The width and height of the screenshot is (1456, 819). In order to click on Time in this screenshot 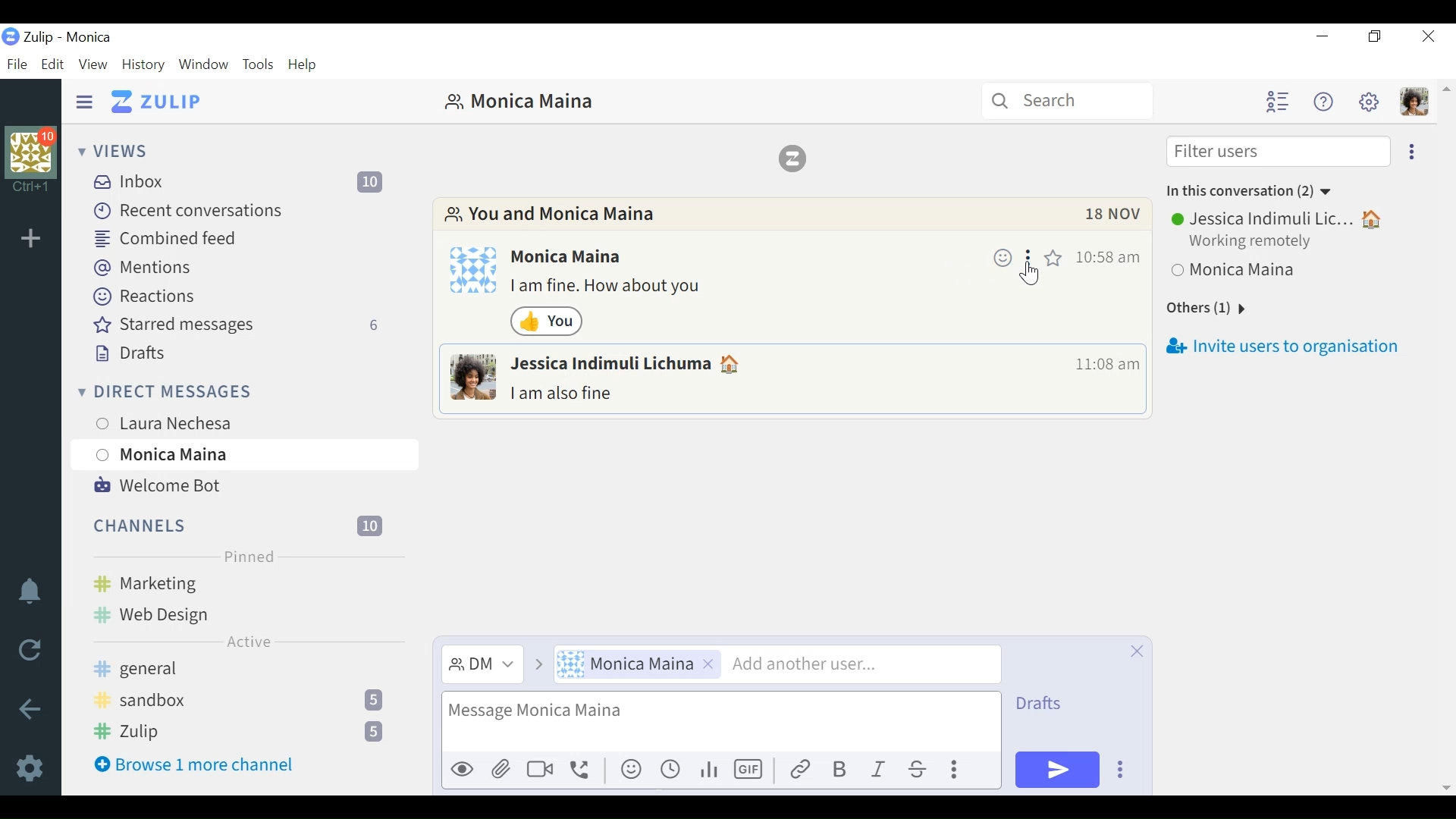, I will do `click(1103, 366)`.